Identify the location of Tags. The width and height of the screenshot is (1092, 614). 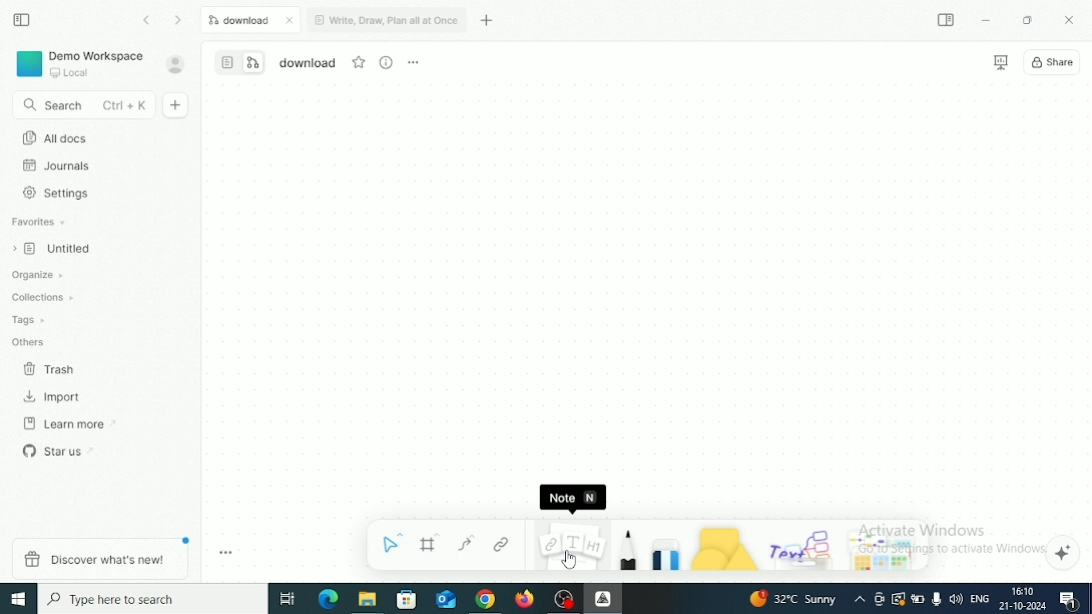
(33, 321).